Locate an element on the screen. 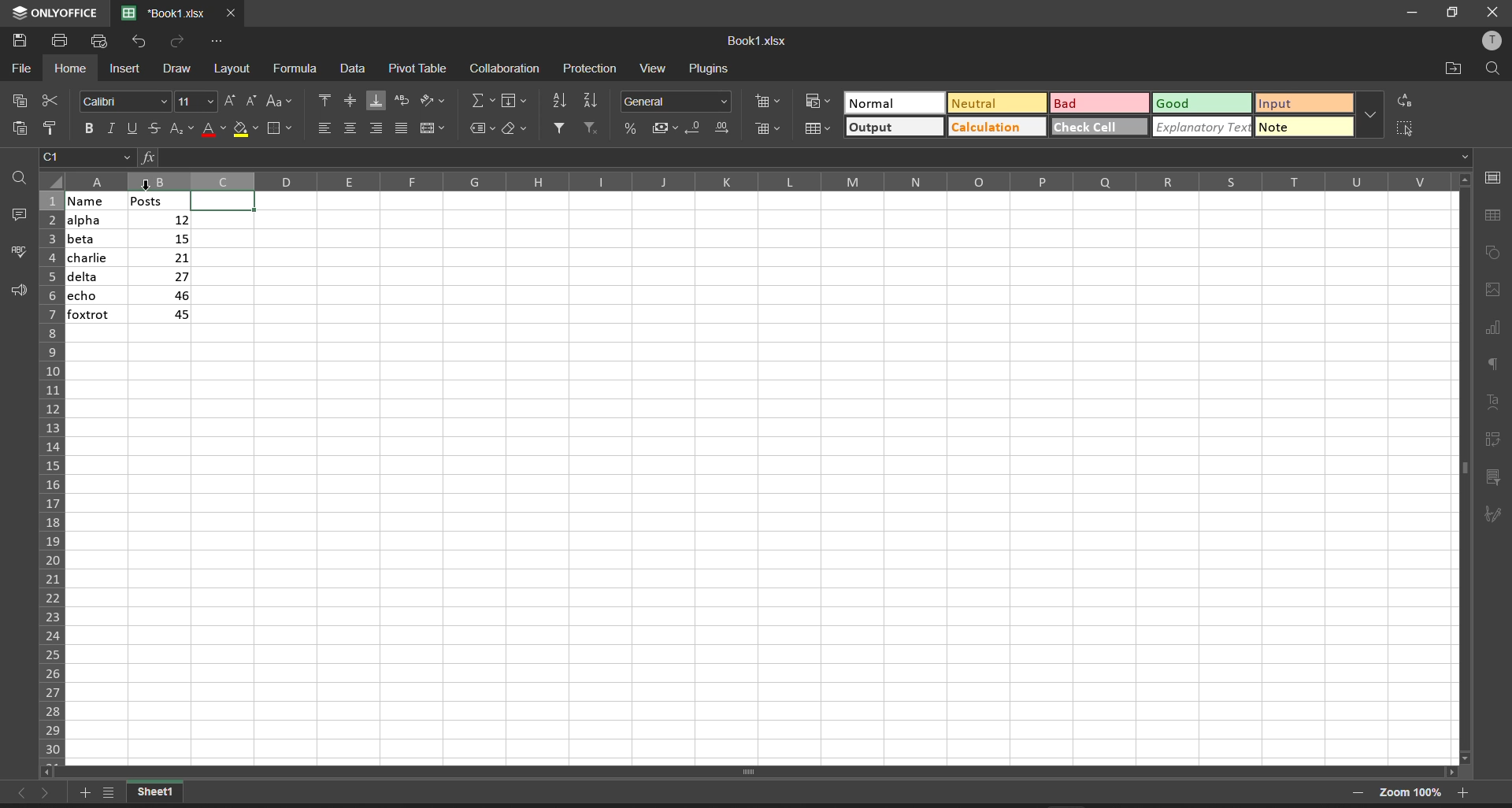 Image resolution: width=1512 pixels, height=808 pixels. formula is located at coordinates (297, 68).